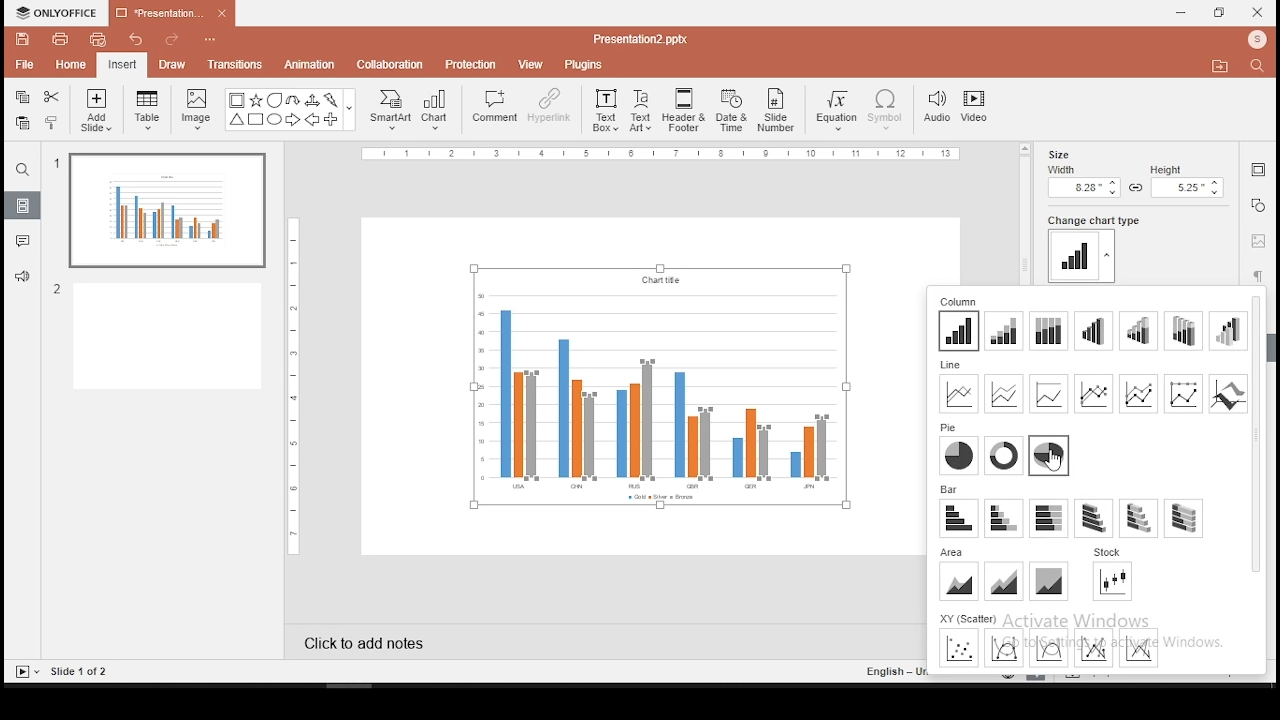 The width and height of the screenshot is (1280, 720). What do you see at coordinates (1004, 393) in the screenshot?
I see `line 2` at bounding box center [1004, 393].